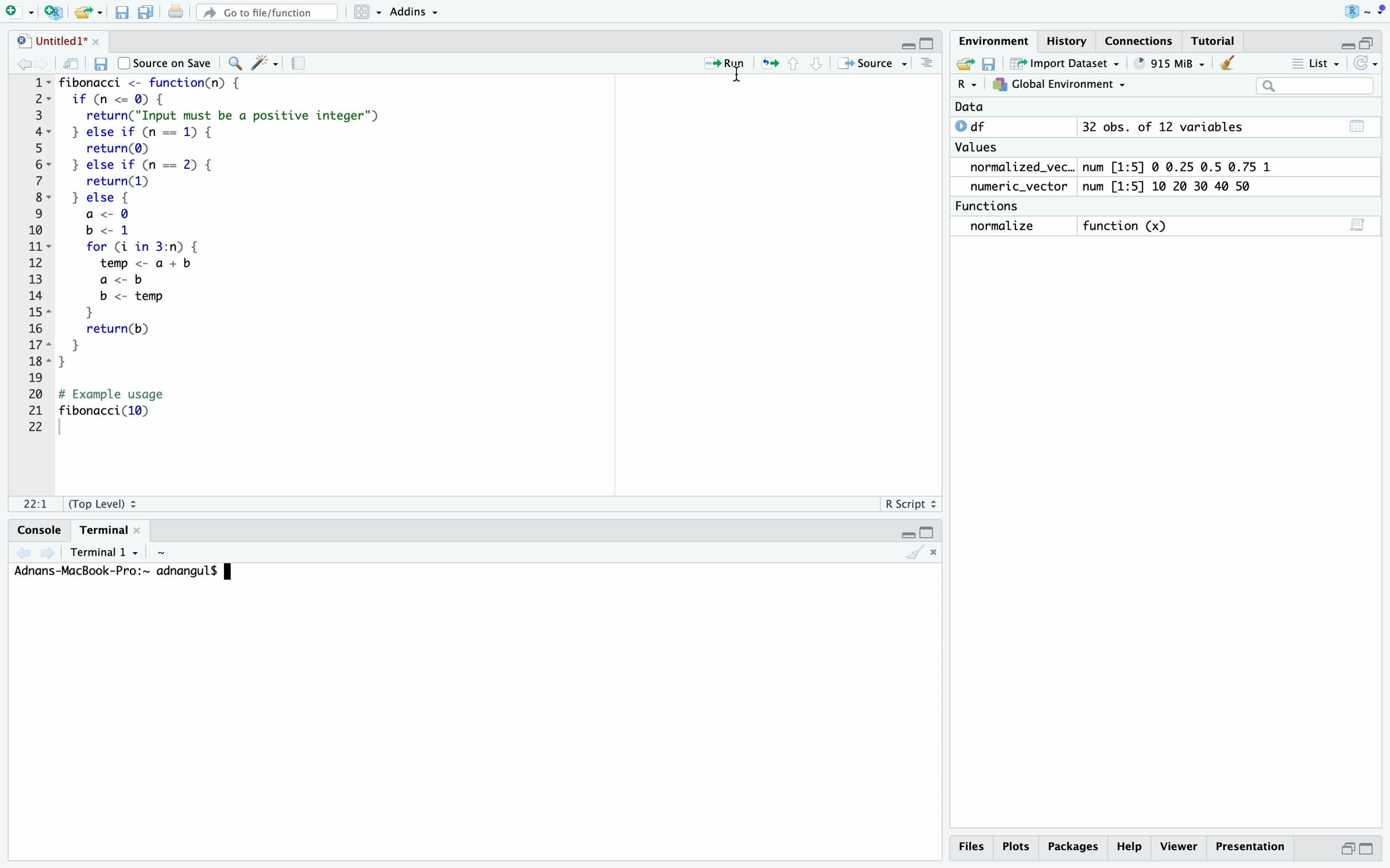 Image resolution: width=1390 pixels, height=868 pixels. I want to click on maximize, so click(1374, 41).